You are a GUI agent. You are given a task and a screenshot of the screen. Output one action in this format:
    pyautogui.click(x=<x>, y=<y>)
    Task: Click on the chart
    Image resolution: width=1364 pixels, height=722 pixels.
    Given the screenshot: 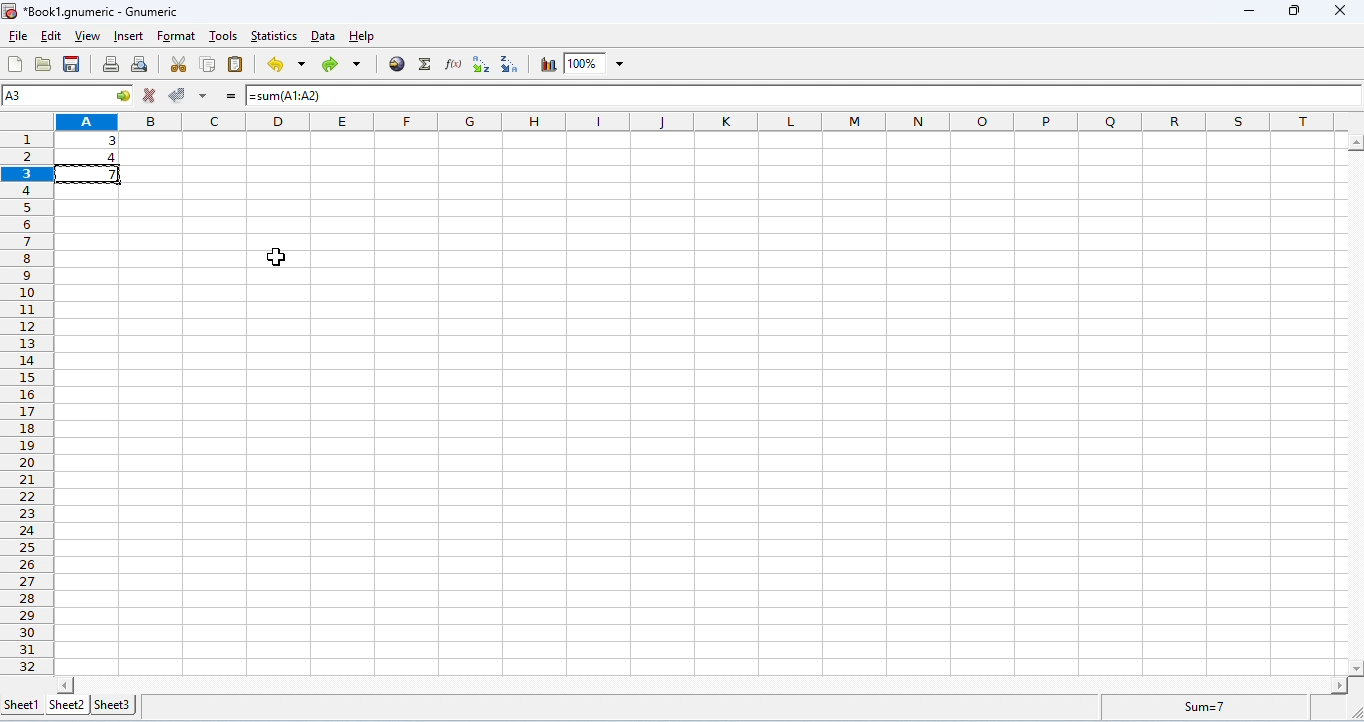 What is the action you would take?
    pyautogui.click(x=546, y=64)
    